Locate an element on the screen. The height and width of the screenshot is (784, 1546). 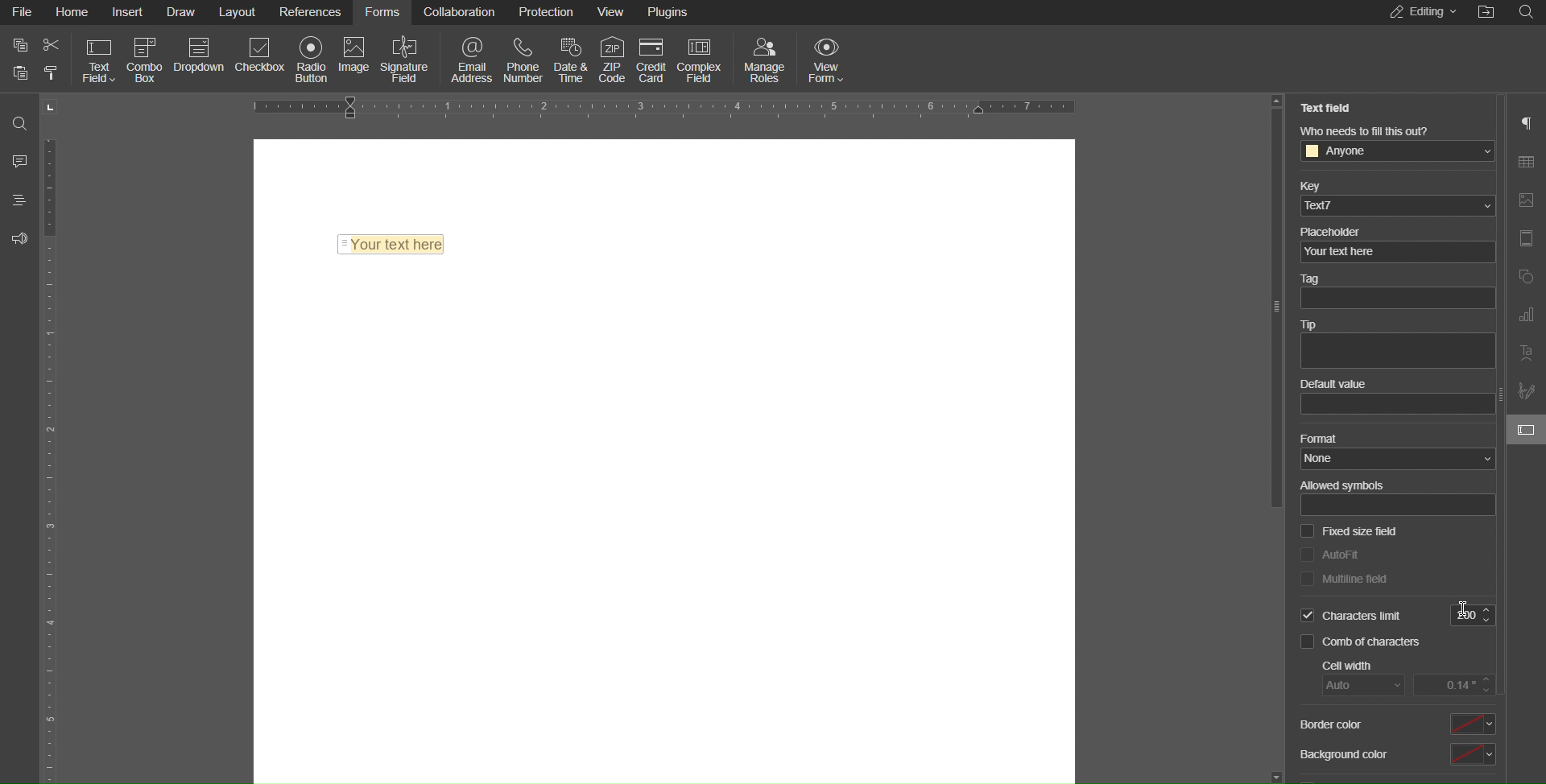
field settings is located at coordinates (1521, 429).